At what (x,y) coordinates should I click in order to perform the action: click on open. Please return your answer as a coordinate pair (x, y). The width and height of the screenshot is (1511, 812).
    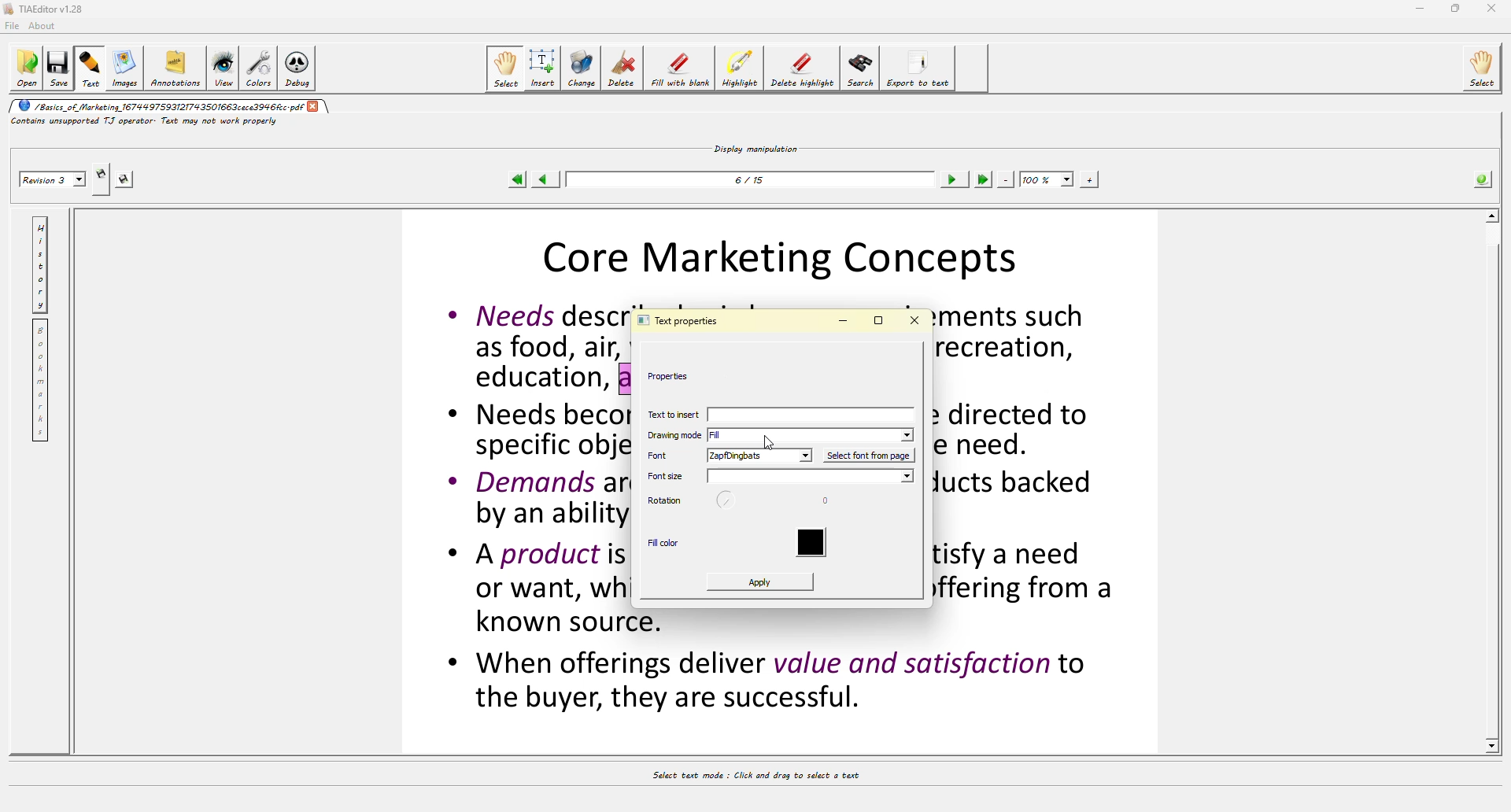
    Looking at the image, I should click on (24, 68).